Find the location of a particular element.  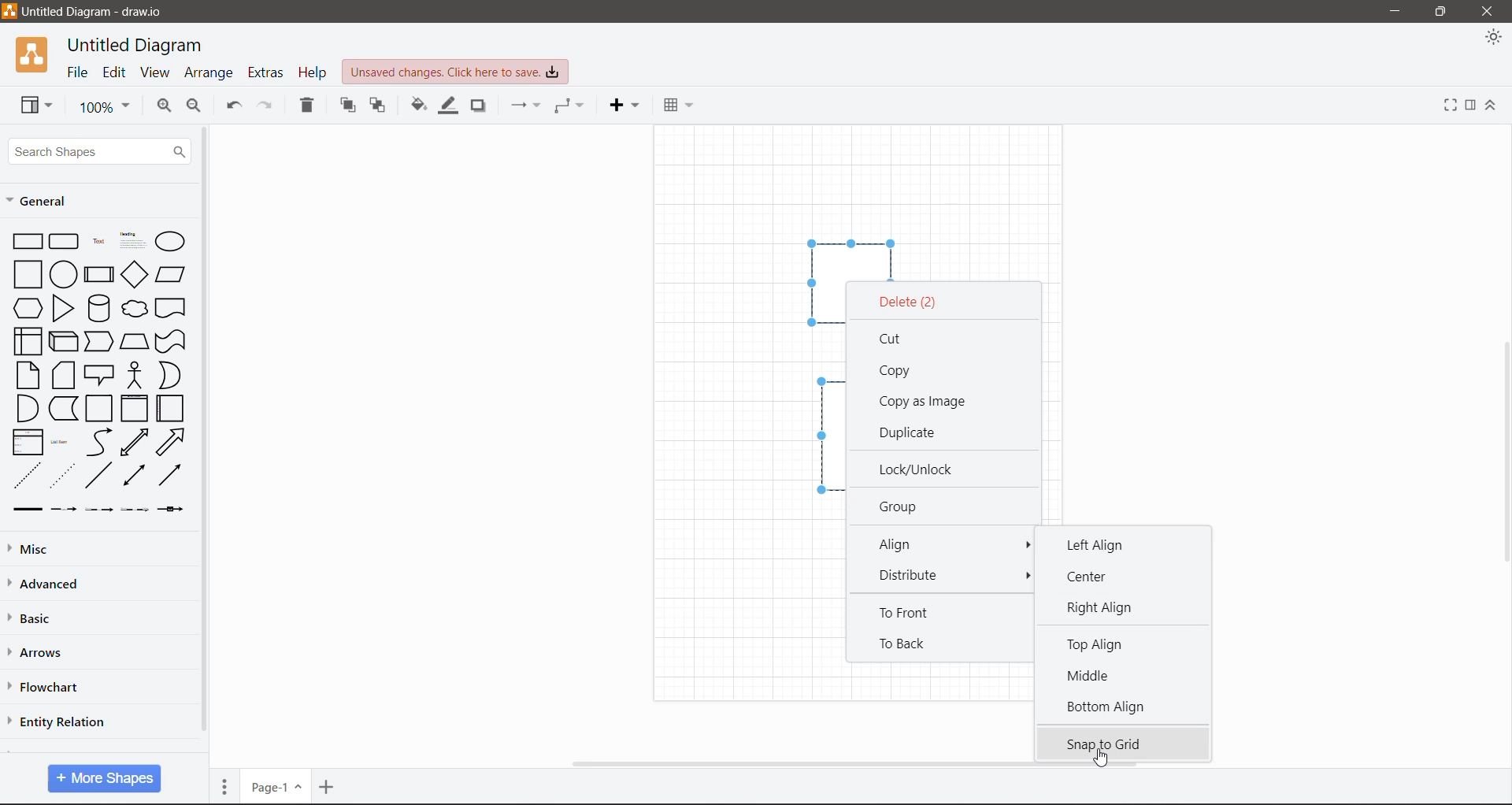

View is located at coordinates (154, 72).